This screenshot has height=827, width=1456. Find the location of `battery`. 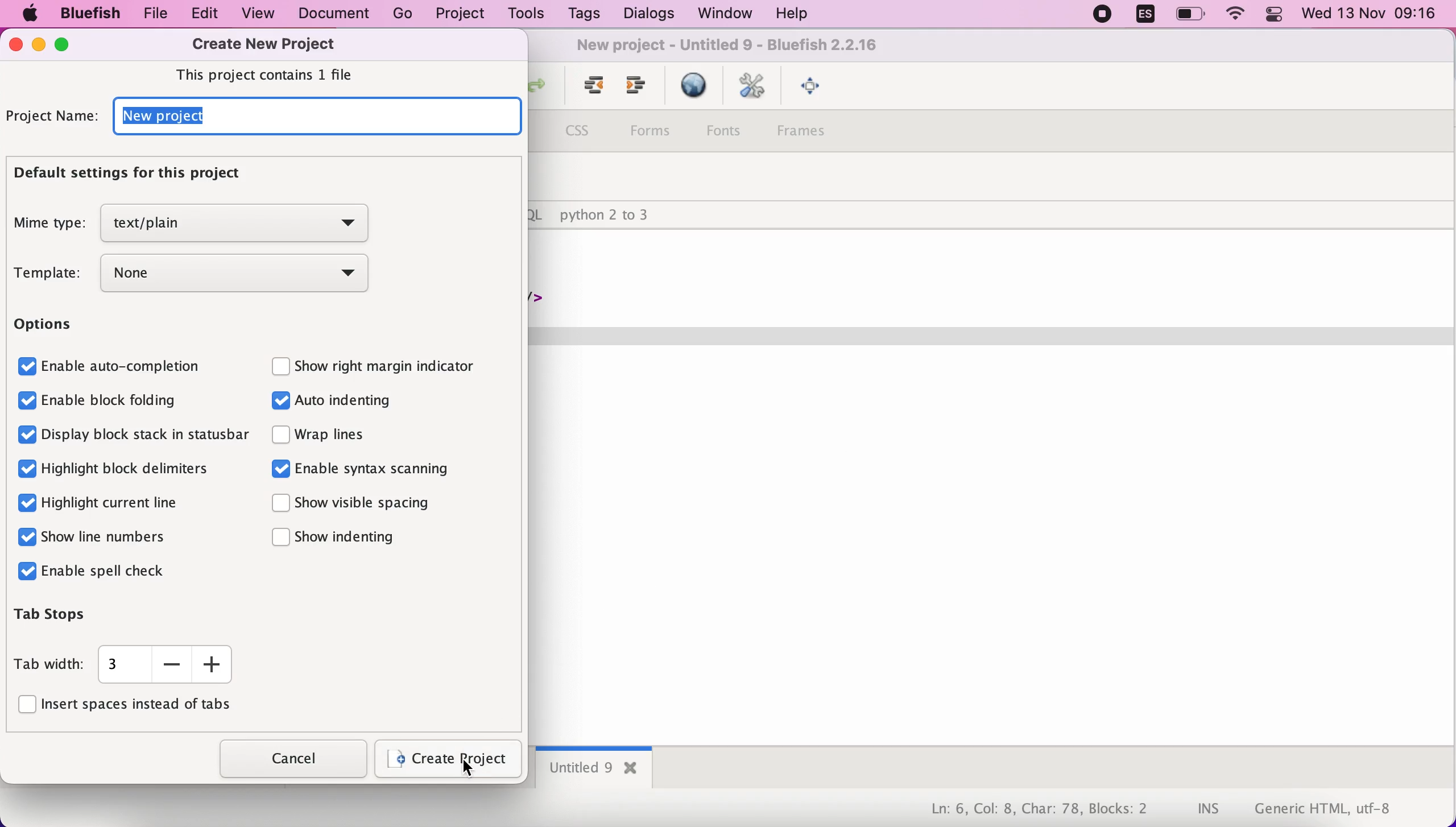

battery is located at coordinates (1192, 15).